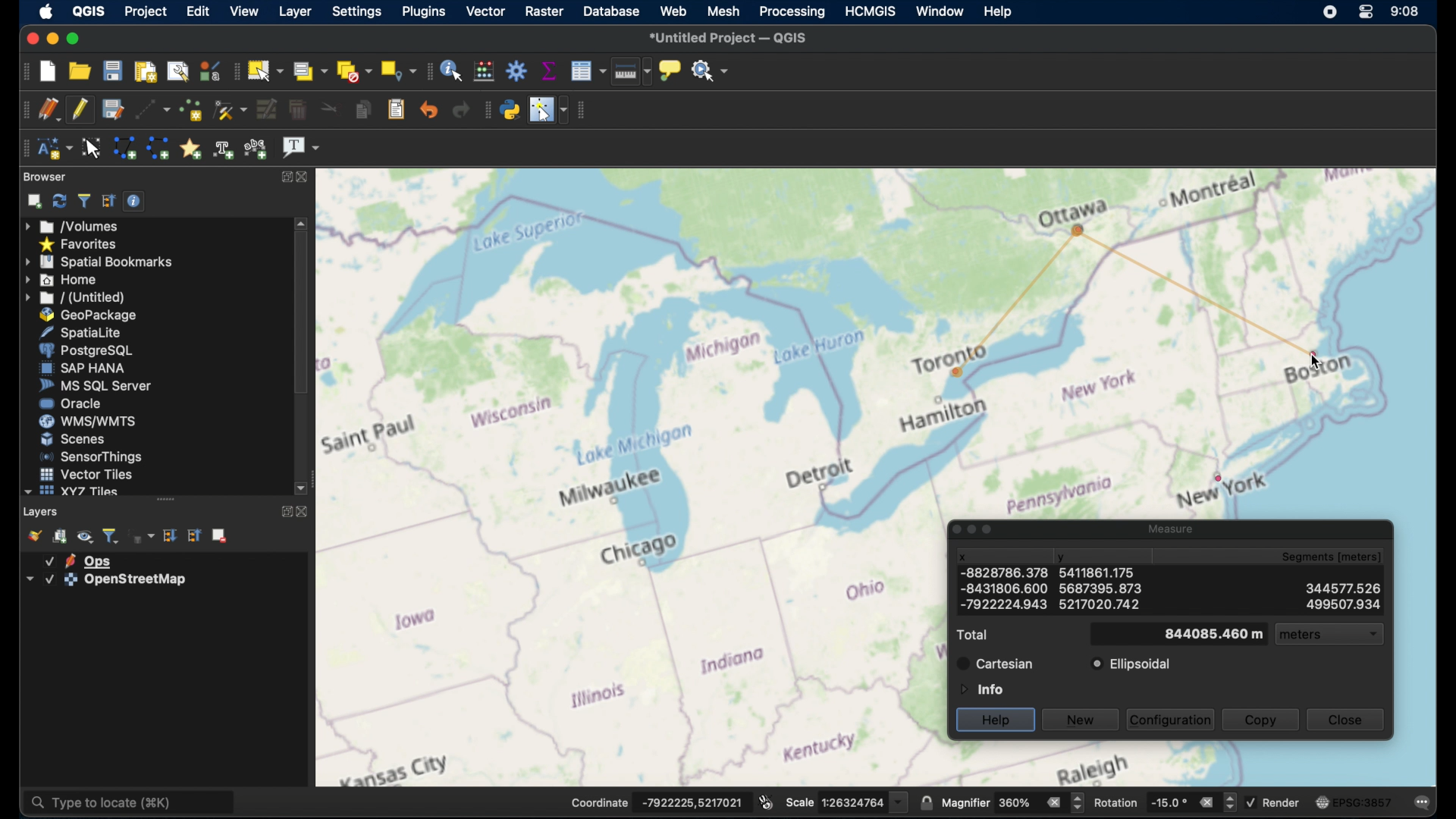 The height and width of the screenshot is (819, 1456). What do you see at coordinates (42, 511) in the screenshot?
I see `layers` at bounding box center [42, 511].